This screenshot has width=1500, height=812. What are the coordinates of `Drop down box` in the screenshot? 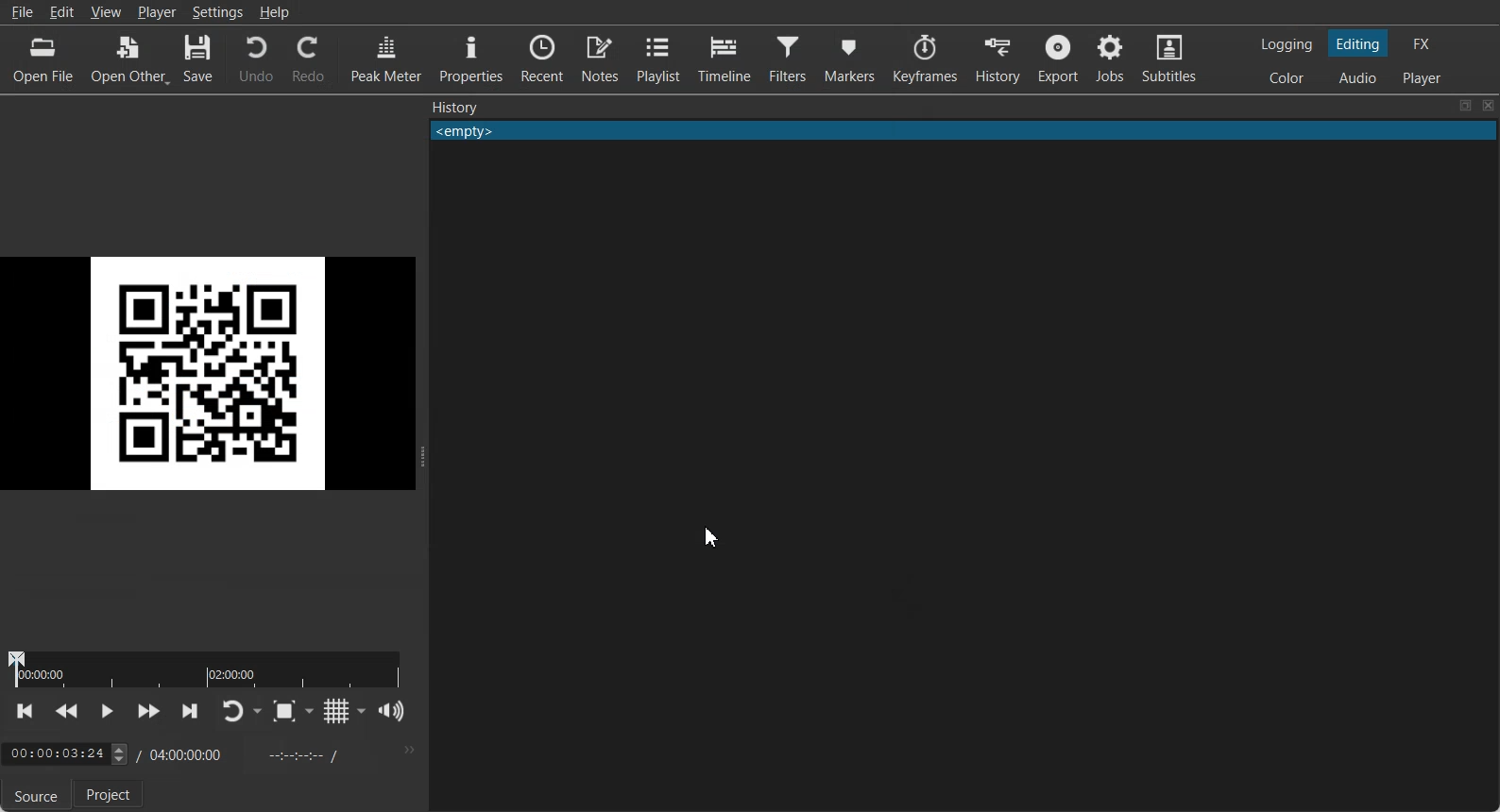 It's located at (259, 711).